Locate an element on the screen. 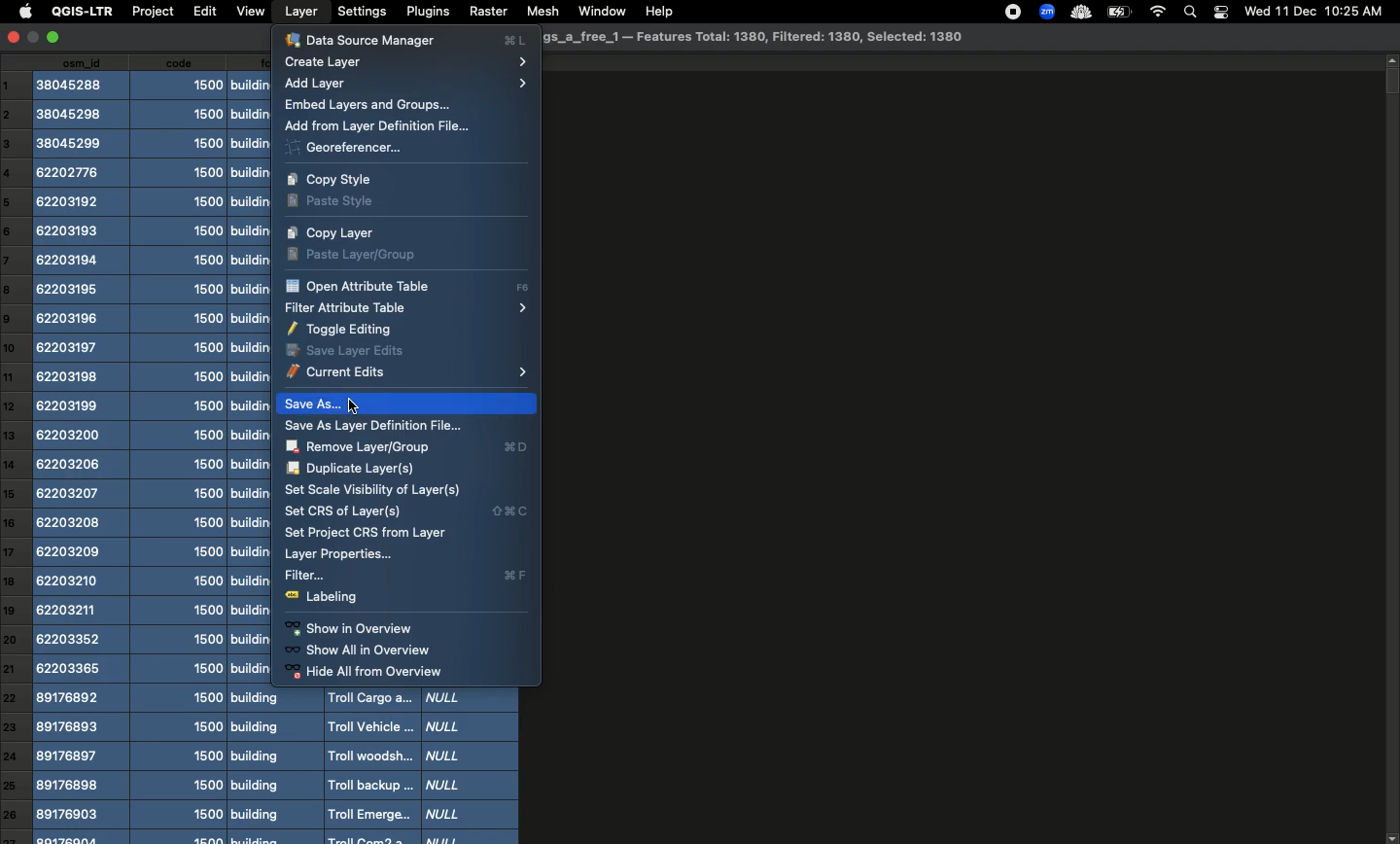  Set CRS of layers is located at coordinates (405, 511).